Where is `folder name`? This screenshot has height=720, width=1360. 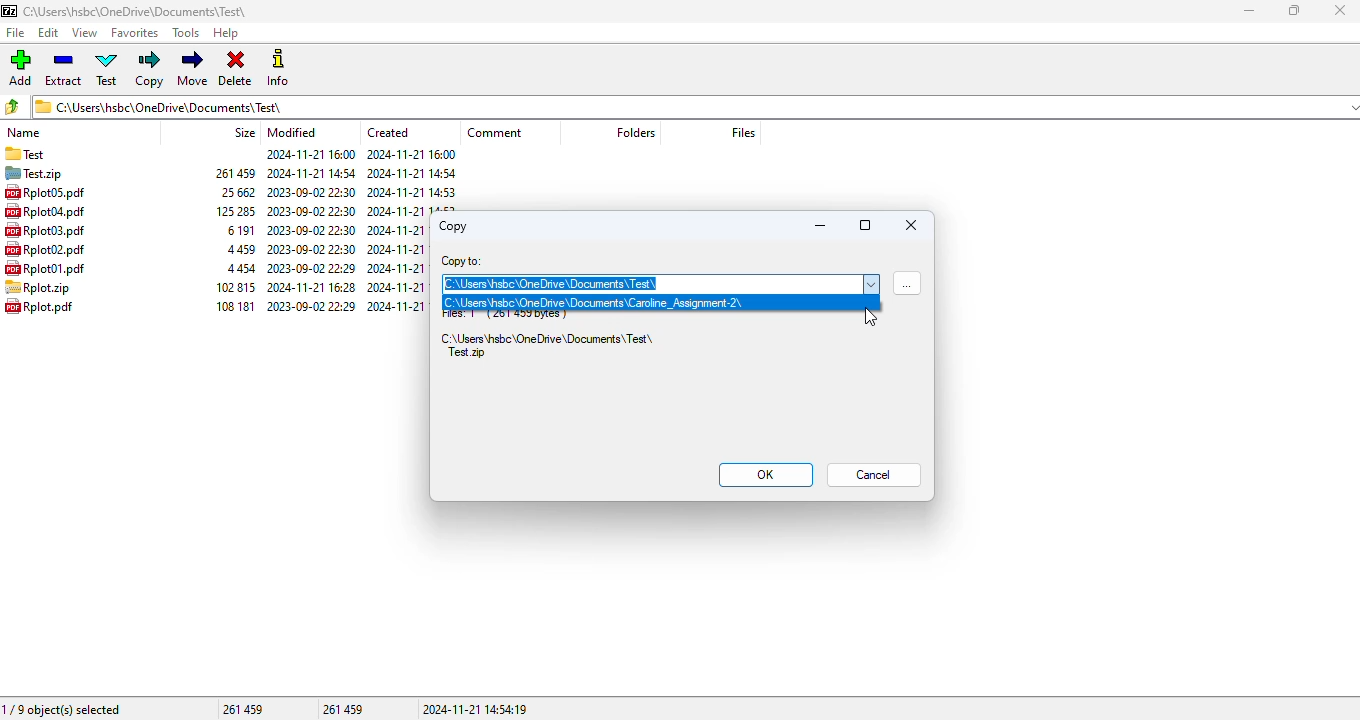
folder name is located at coordinates (135, 11).